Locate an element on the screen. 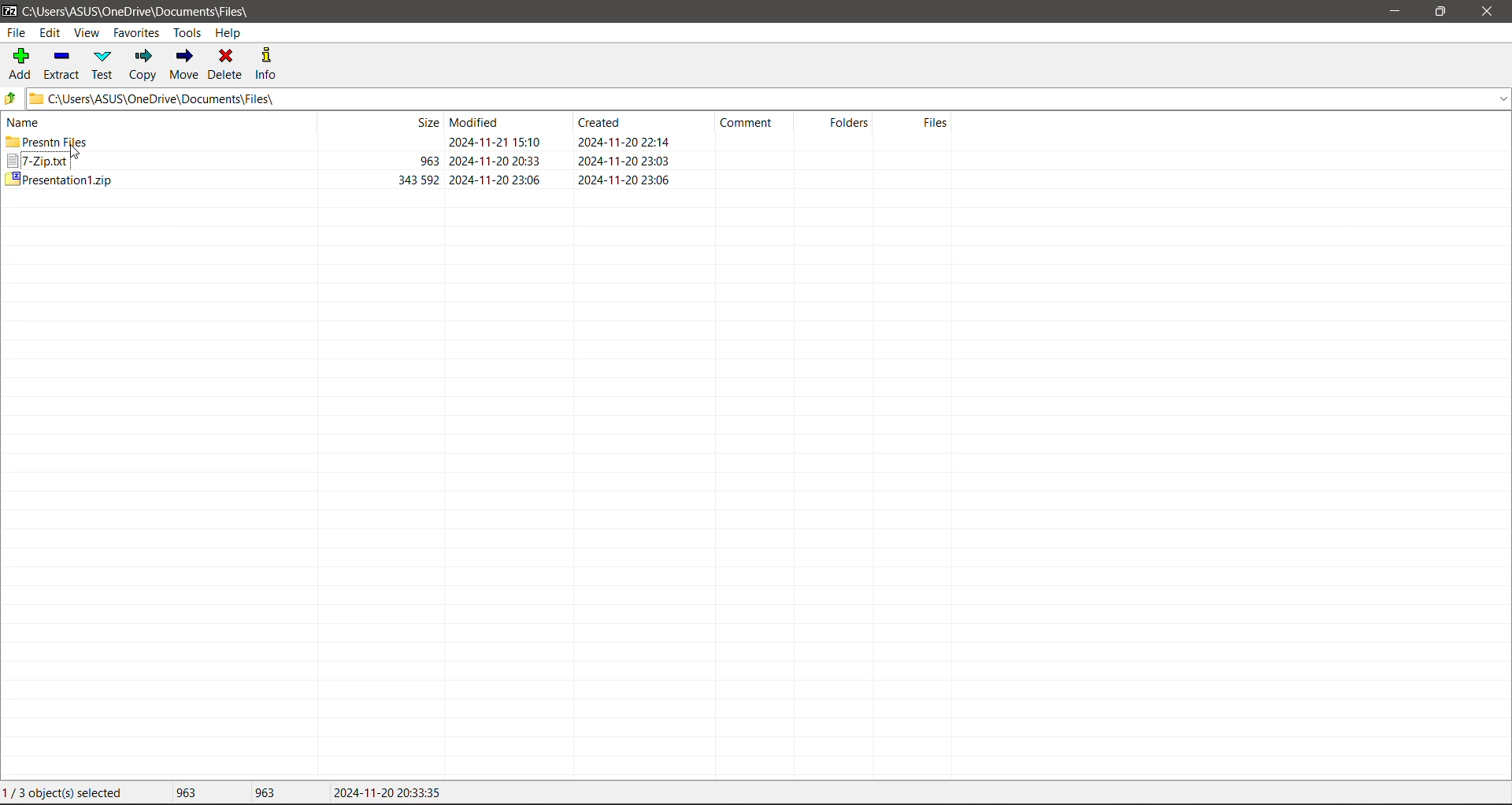 This screenshot has width=1512, height=805. Destination Folder where the file is copied to is located at coordinates (479, 142).